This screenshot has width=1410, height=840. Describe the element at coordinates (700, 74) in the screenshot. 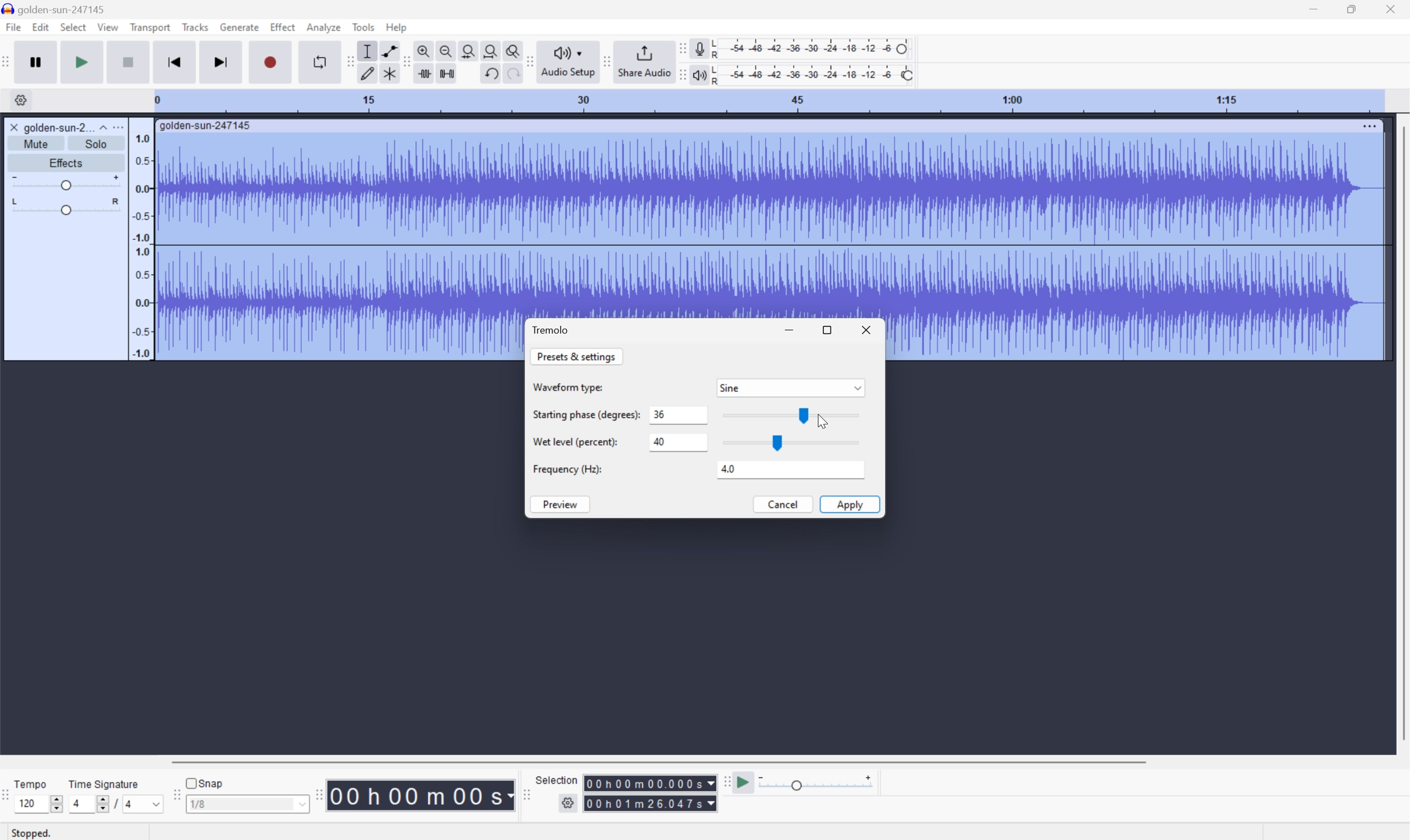

I see `Playback meter` at that location.